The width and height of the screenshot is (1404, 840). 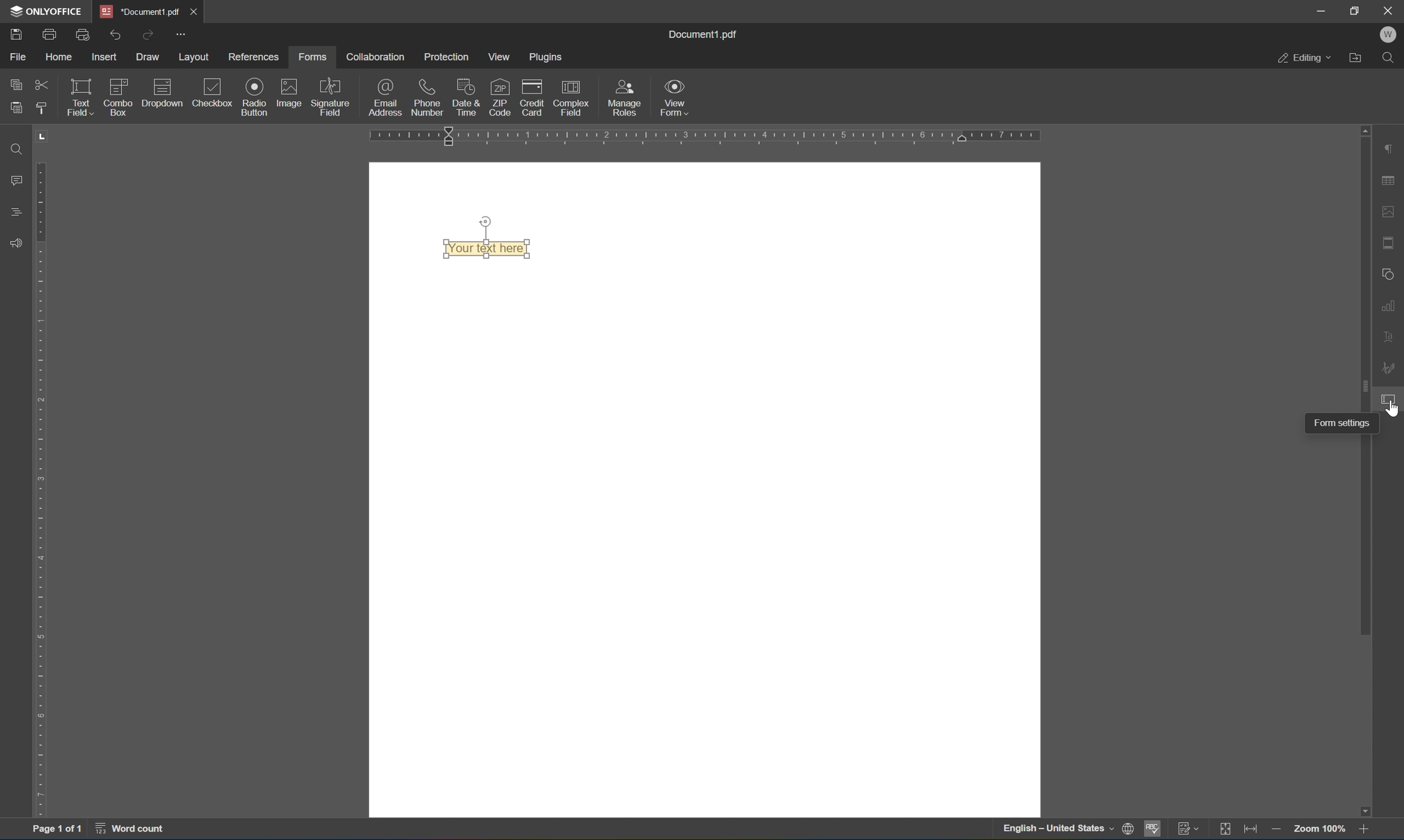 What do you see at coordinates (211, 95) in the screenshot?
I see `checkbox` at bounding box center [211, 95].